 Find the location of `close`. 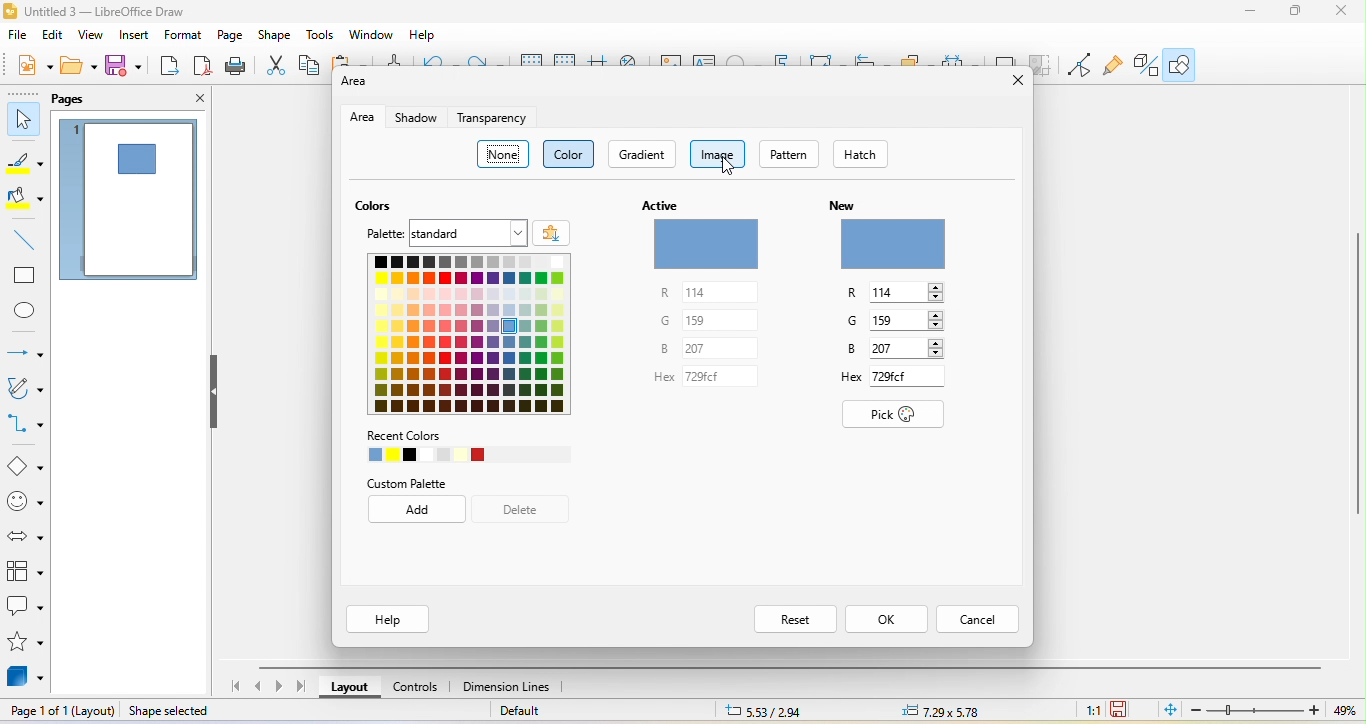

close is located at coordinates (1011, 83).